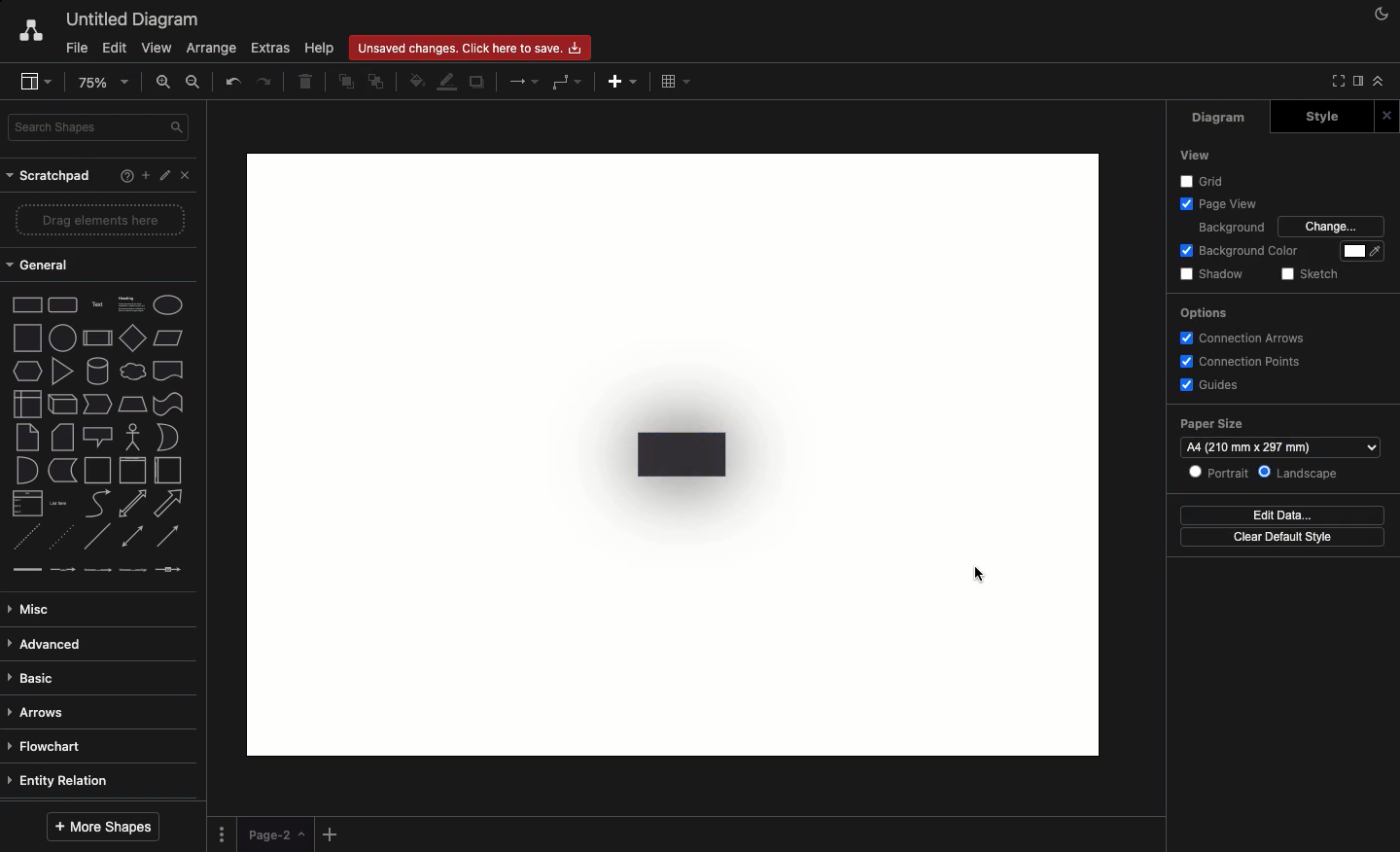  I want to click on Background color, so click(1243, 252).